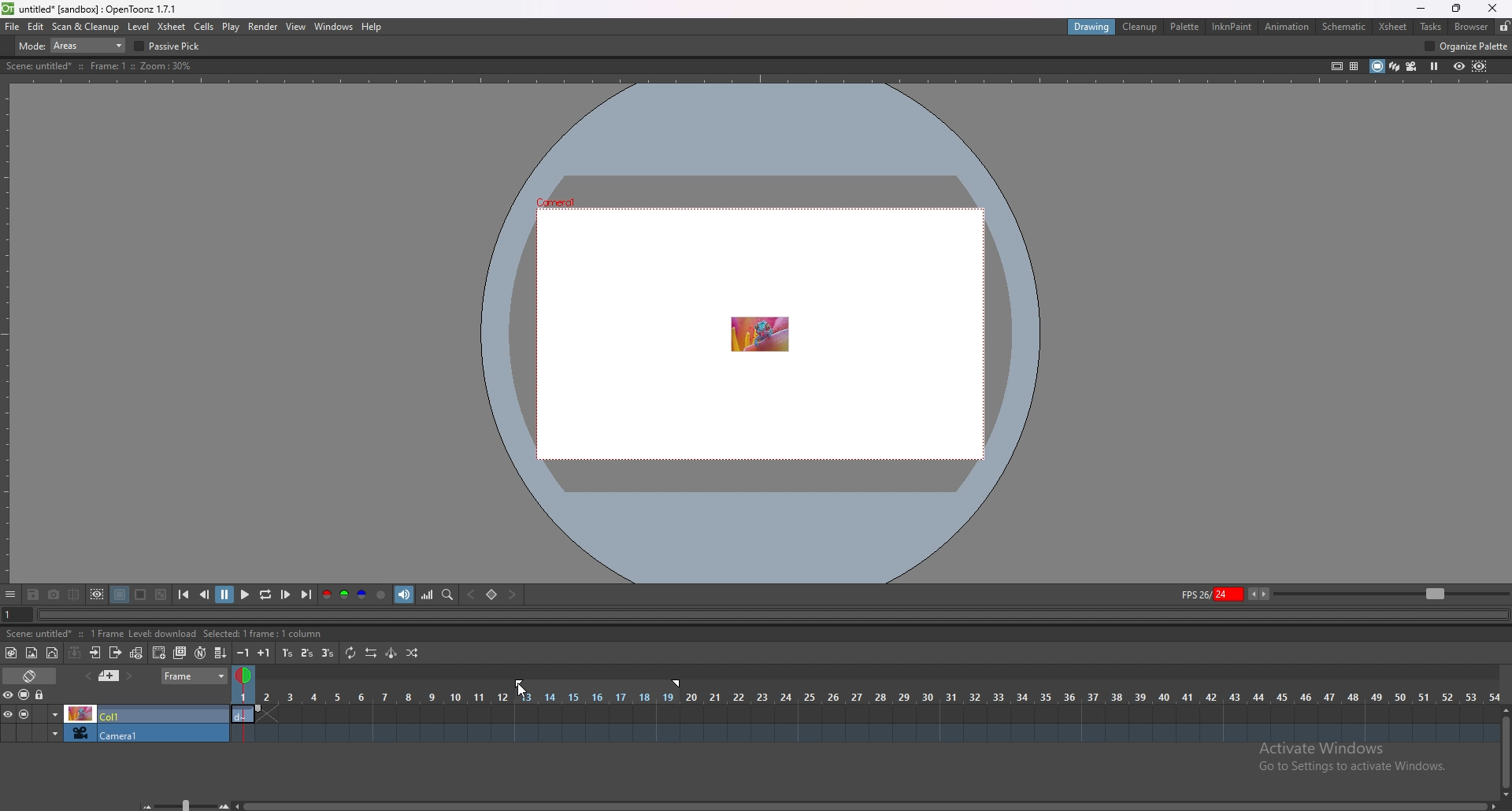  Describe the element at coordinates (264, 27) in the screenshot. I see `render` at that location.